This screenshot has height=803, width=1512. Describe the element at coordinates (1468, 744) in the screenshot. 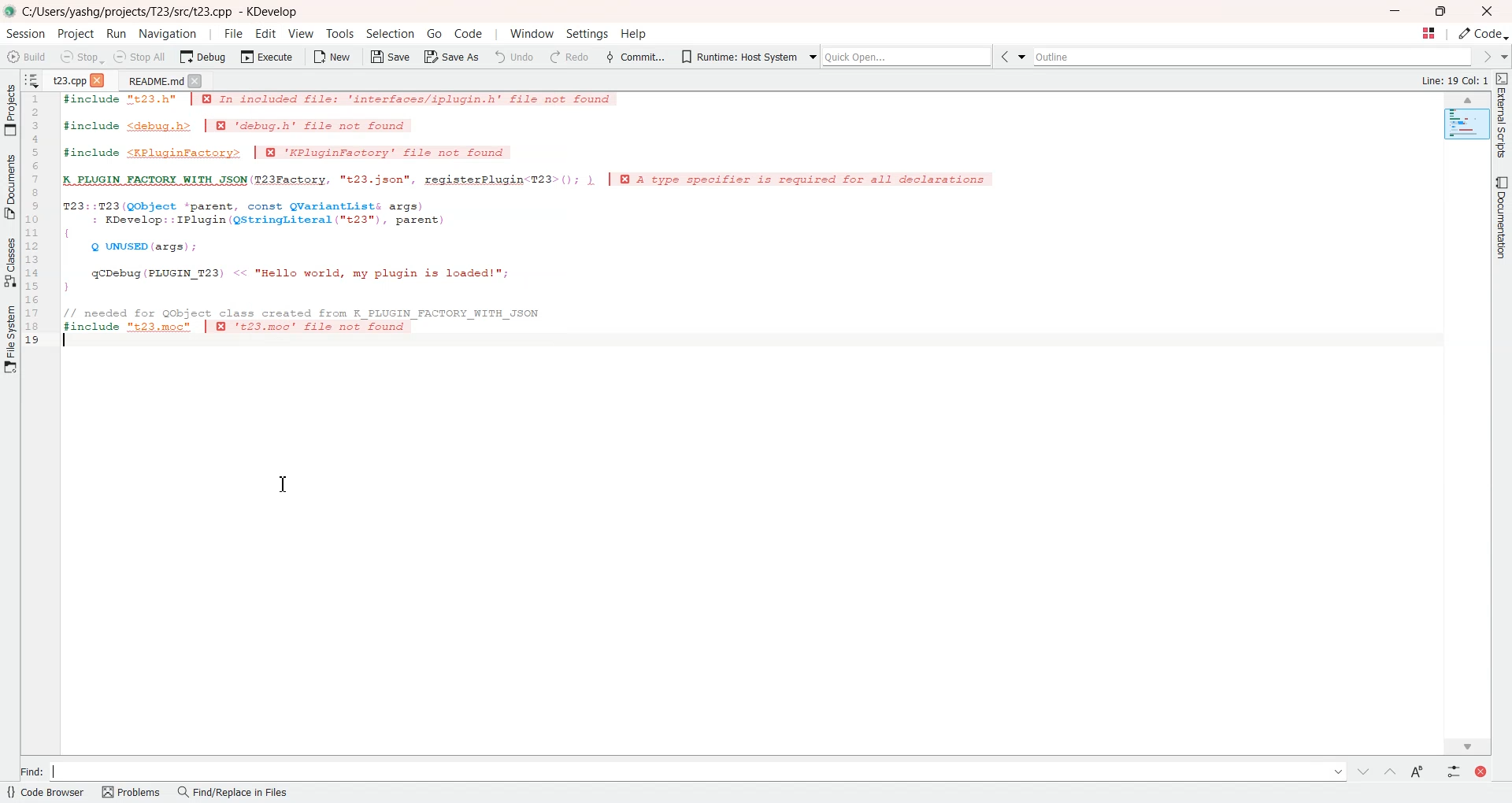

I see `Scroll down` at that location.